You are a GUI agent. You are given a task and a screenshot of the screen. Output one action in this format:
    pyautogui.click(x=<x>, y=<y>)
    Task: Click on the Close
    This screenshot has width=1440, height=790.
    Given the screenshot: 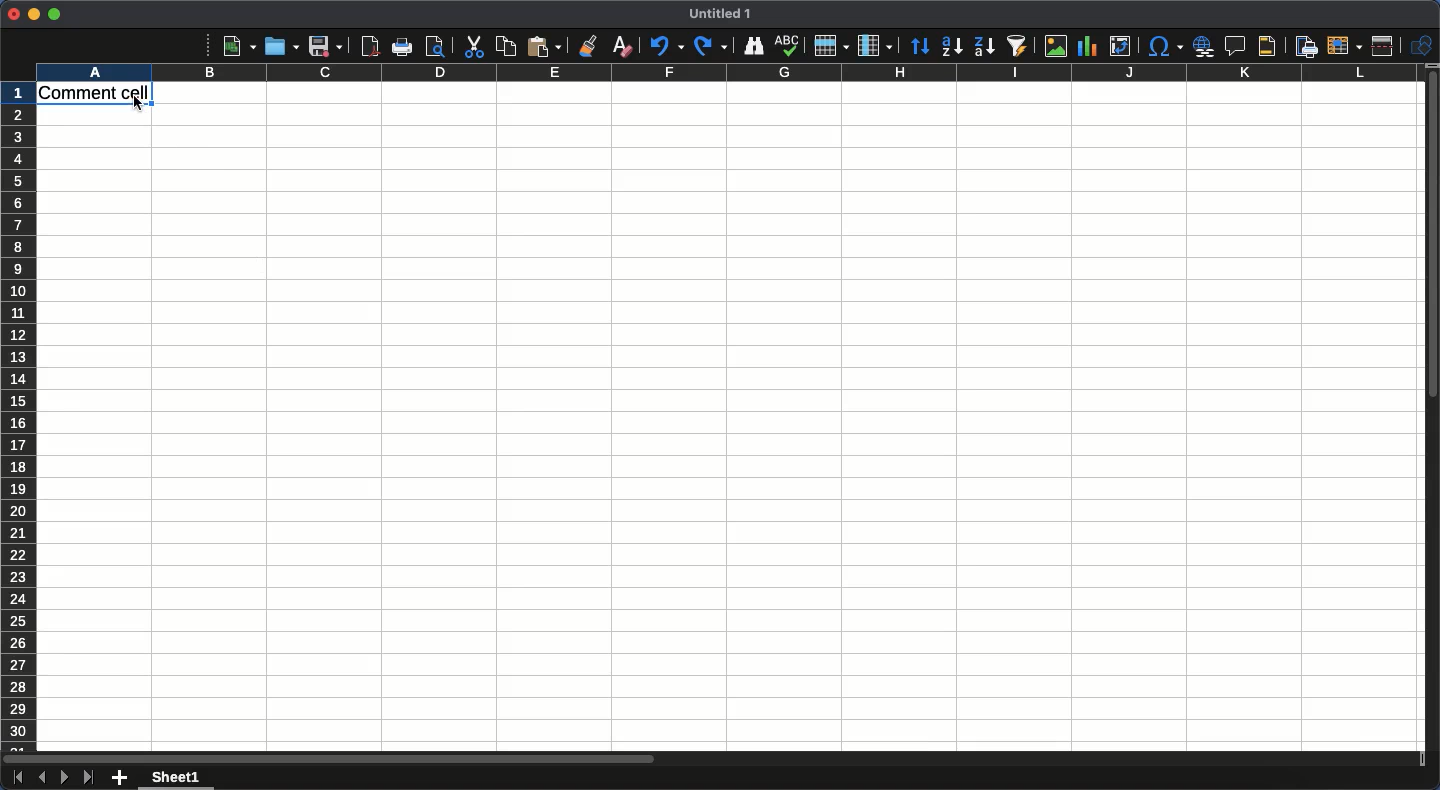 What is the action you would take?
    pyautogui.click(x=10, y=12)
    